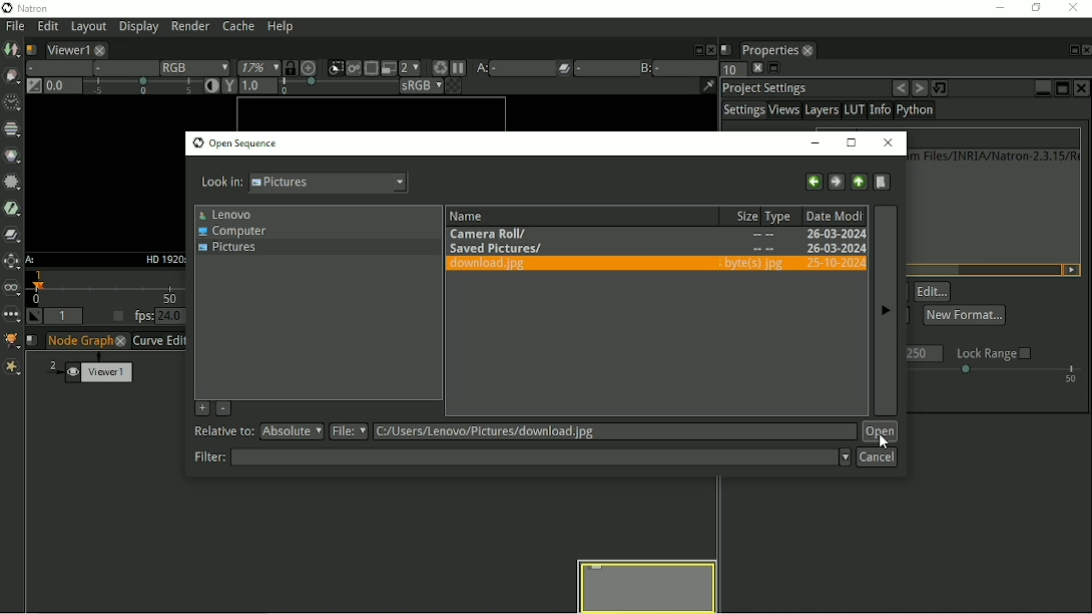 The height and width of the screenshot is (614, 1092). I want to click on File, so click(594, 432).